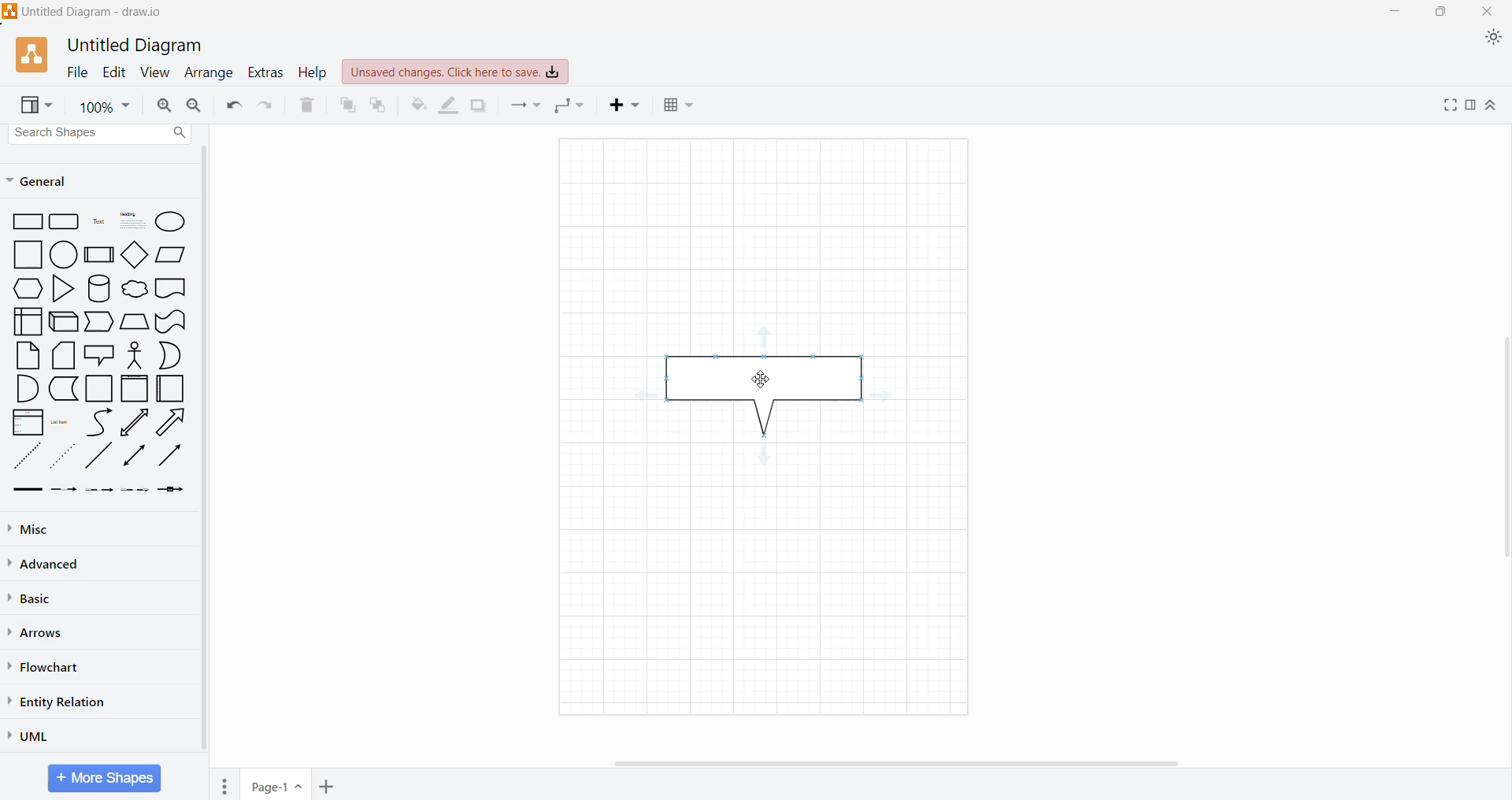 Image resolution: width=1512 pixels, height=800 pixels. What do you see at coordinates (172, 287) in the screenshot?
I see `document` at bounding box center [172, 287].